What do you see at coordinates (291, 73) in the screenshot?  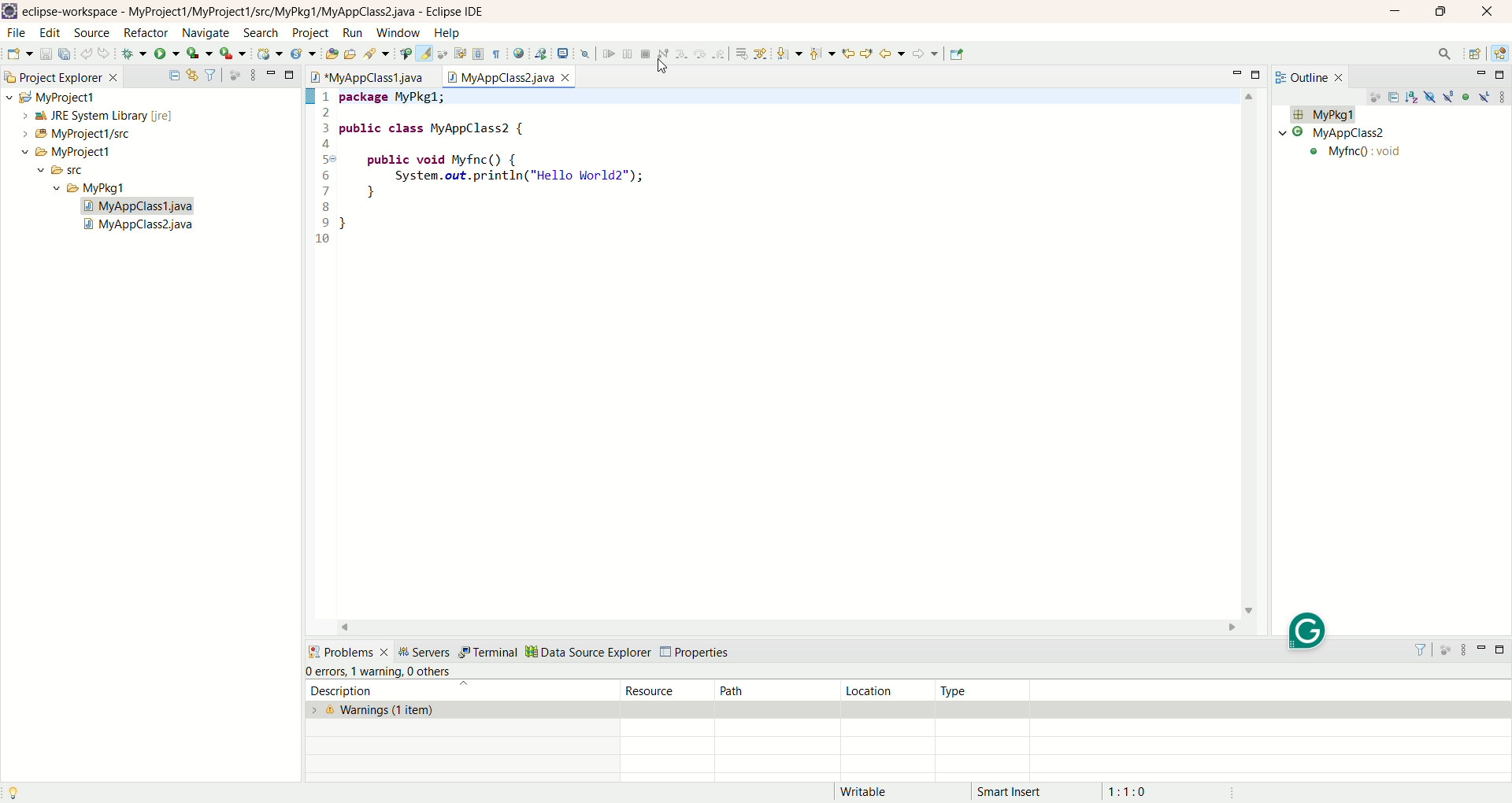 I see `maximize` at bounding box center [291, 73].